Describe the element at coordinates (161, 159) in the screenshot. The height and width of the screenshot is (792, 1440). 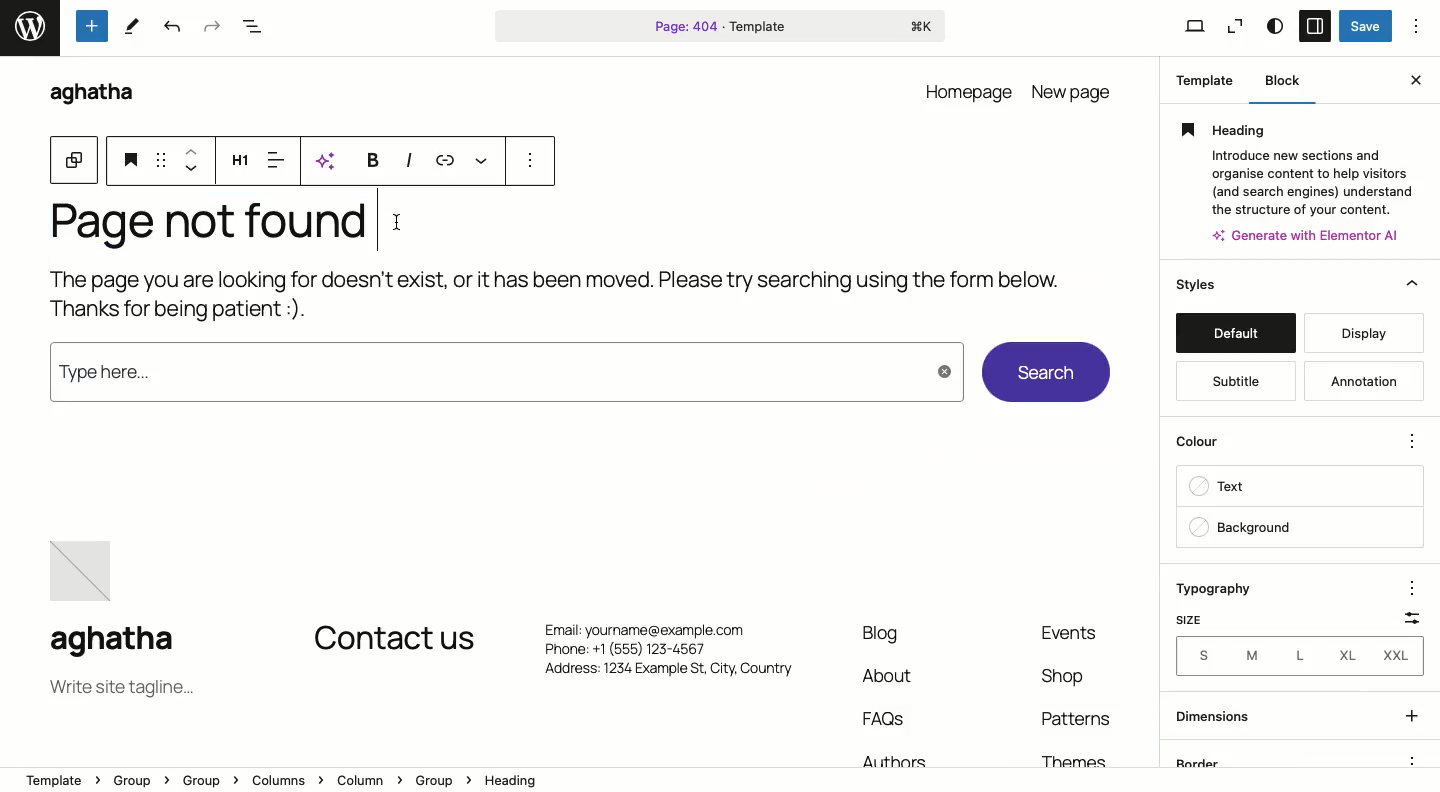
I see `Drag` at that location.